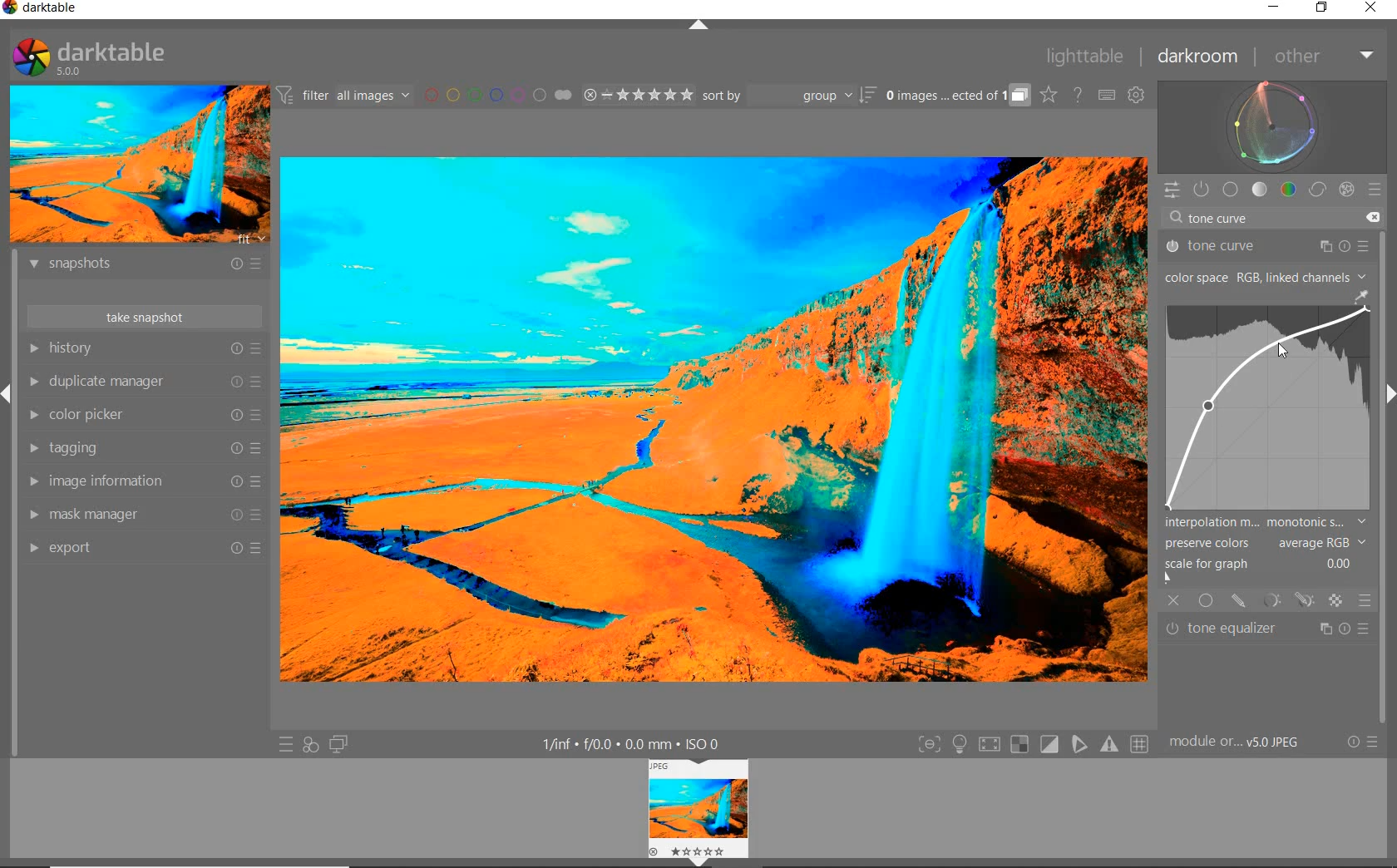 This screenshot has height=868, width=1397. I want to click on IMAGE PREVIEW, so click(137, 165).